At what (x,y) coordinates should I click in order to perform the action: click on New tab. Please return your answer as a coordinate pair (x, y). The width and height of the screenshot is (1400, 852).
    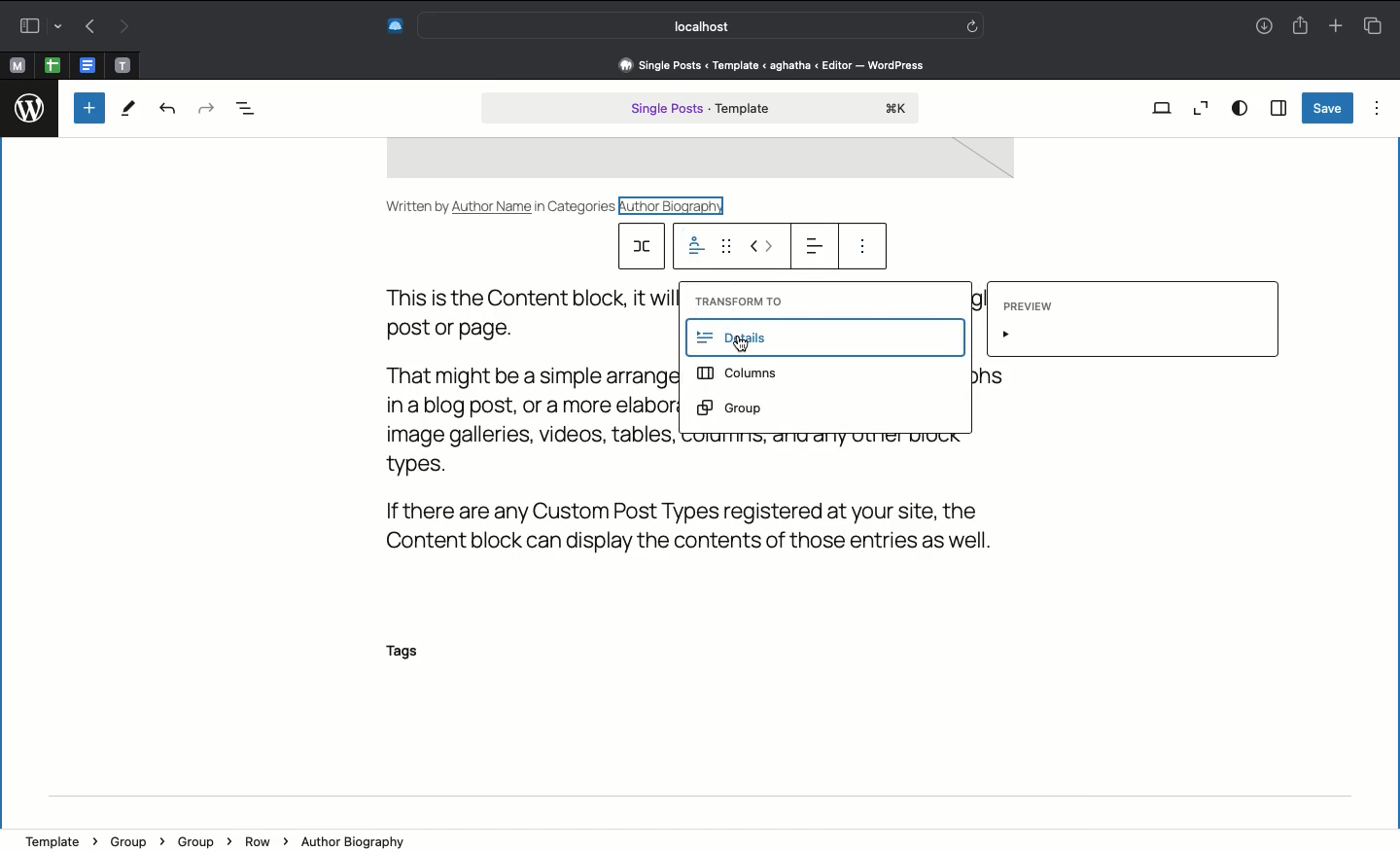
    Looking at the image, I should click on (1336, 27).